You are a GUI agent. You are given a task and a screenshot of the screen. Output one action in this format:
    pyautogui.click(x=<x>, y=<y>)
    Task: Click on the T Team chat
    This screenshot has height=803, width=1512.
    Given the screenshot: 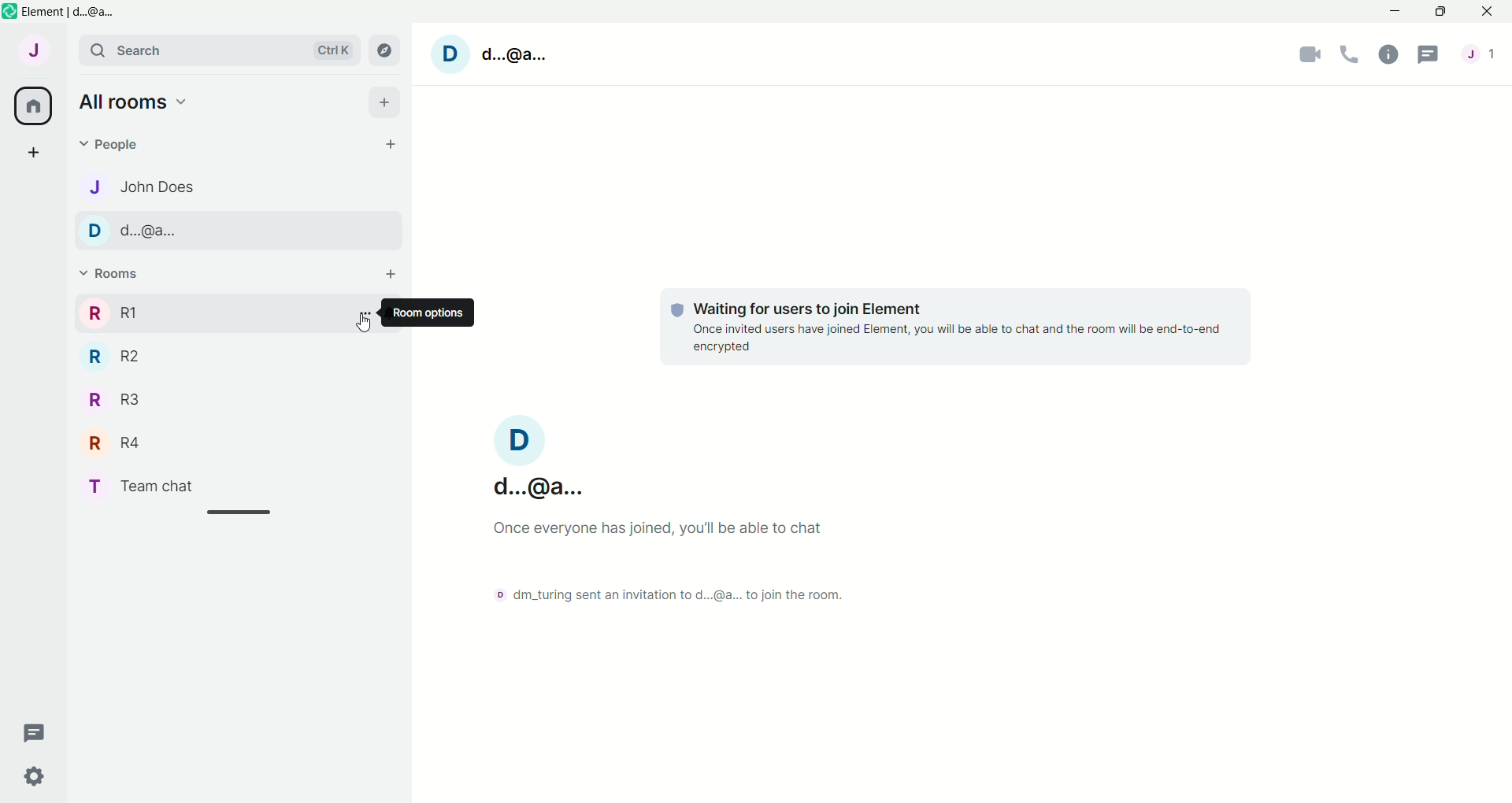 What is the action you would take?
    pyautogui.click(x=134, y=484)
    